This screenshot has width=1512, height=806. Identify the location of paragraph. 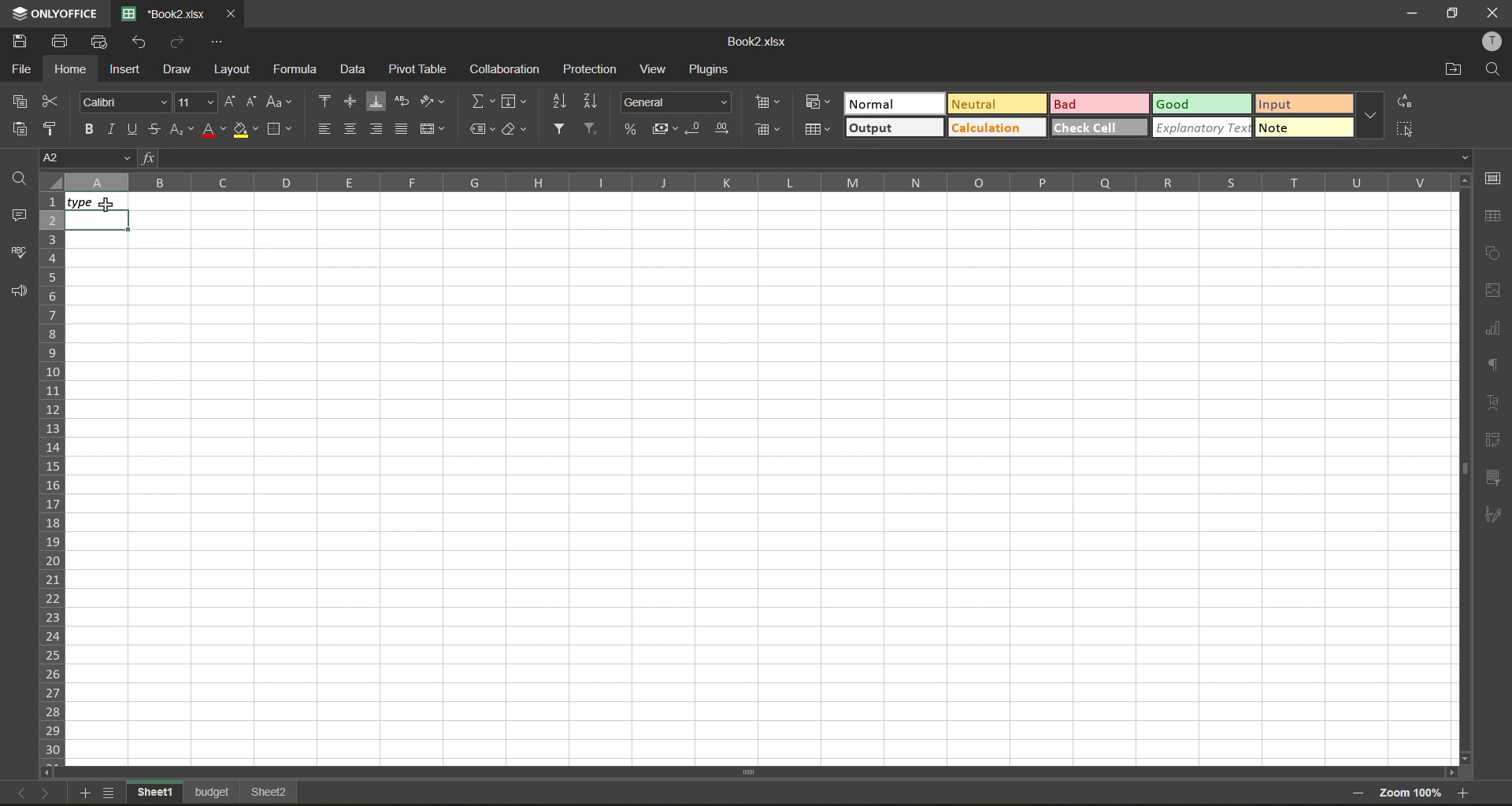
(1493, 365).